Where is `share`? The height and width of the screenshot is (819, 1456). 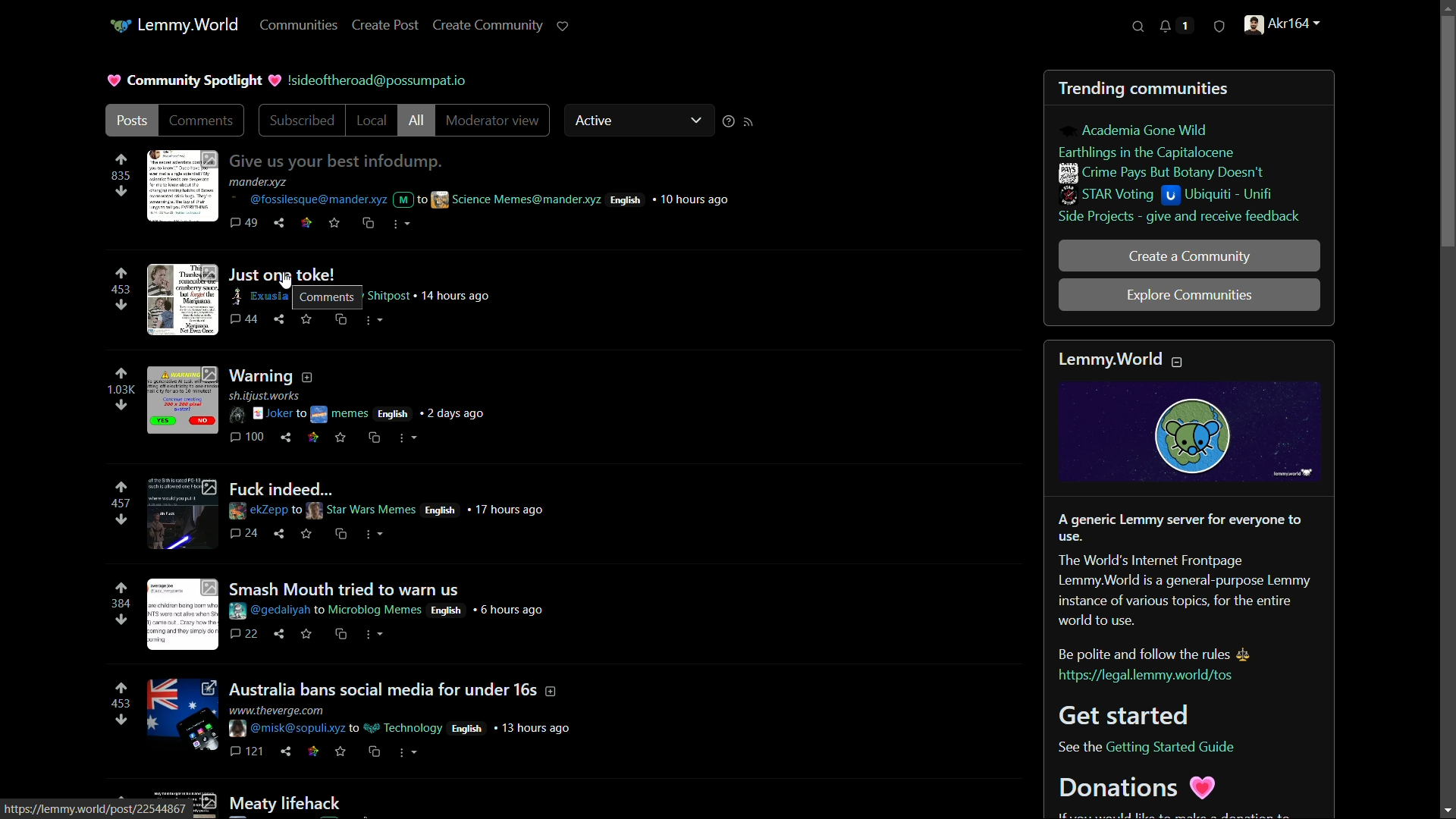 share is located at coordinates (287, 752).